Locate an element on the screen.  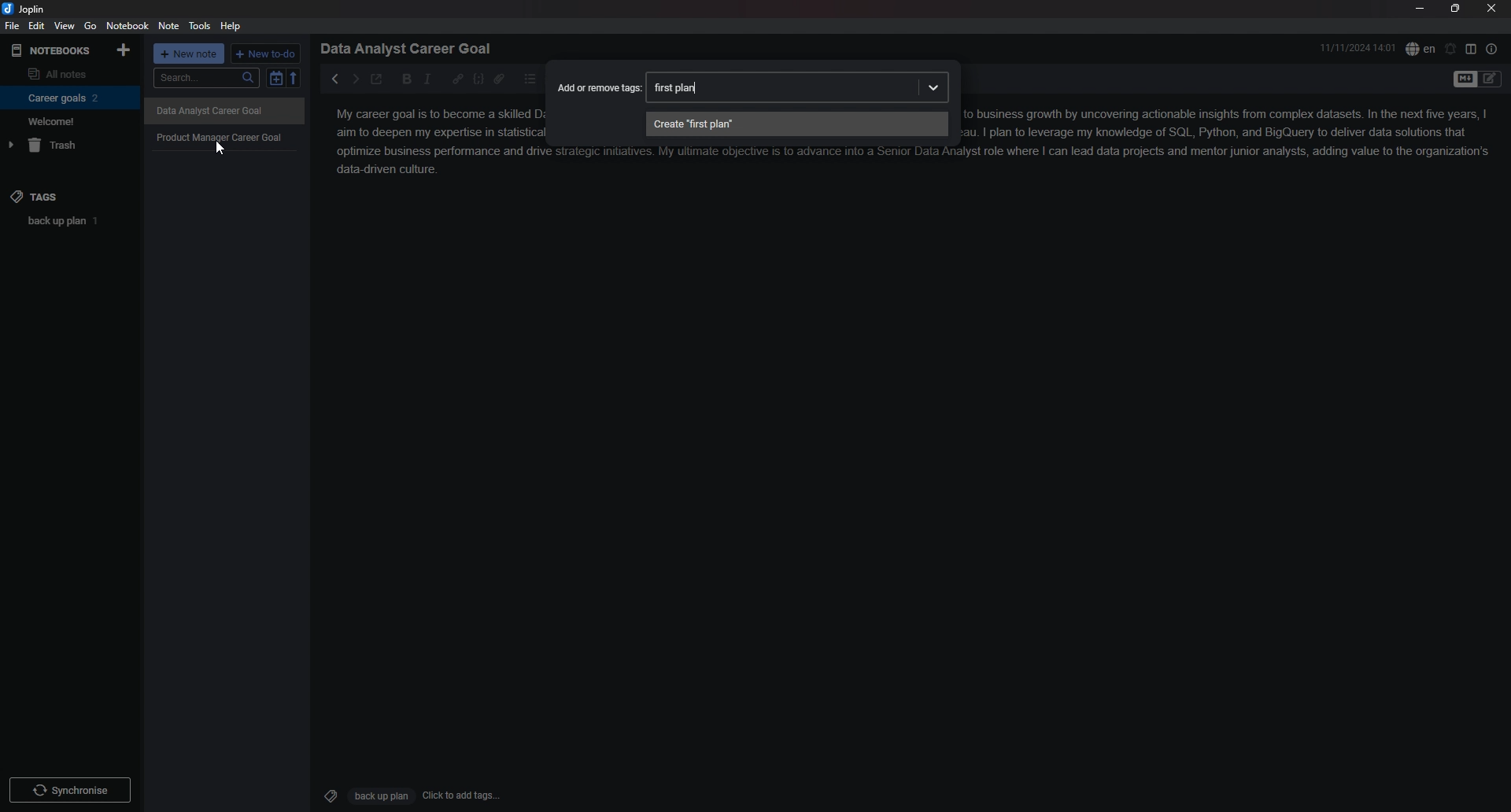
note is located at coordinates (170, 25).